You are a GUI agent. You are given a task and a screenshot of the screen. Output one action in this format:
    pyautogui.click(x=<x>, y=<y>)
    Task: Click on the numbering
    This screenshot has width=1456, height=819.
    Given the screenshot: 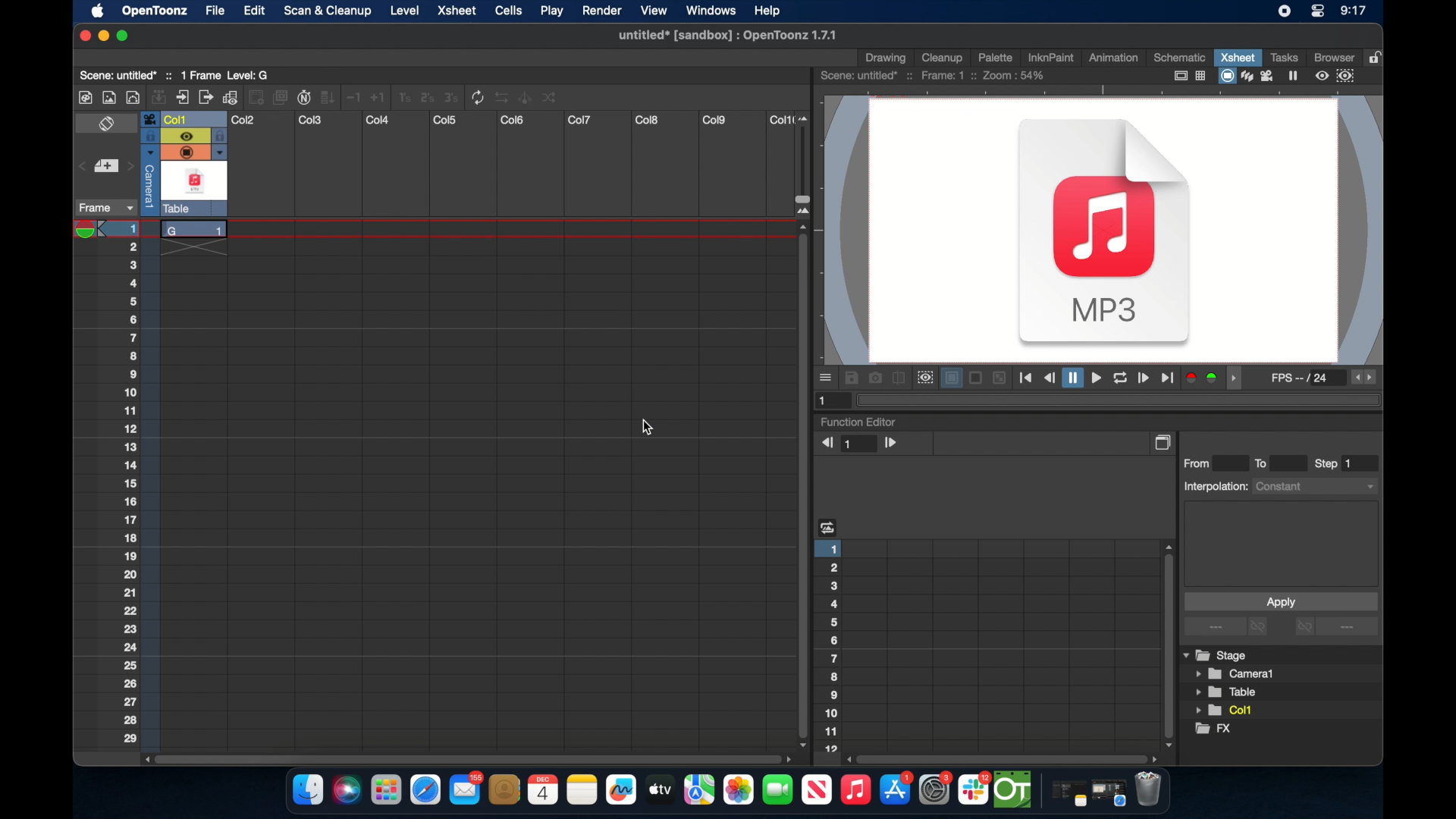 What is the action you would take?
    pyautogui.click(x=131, y=483)
    